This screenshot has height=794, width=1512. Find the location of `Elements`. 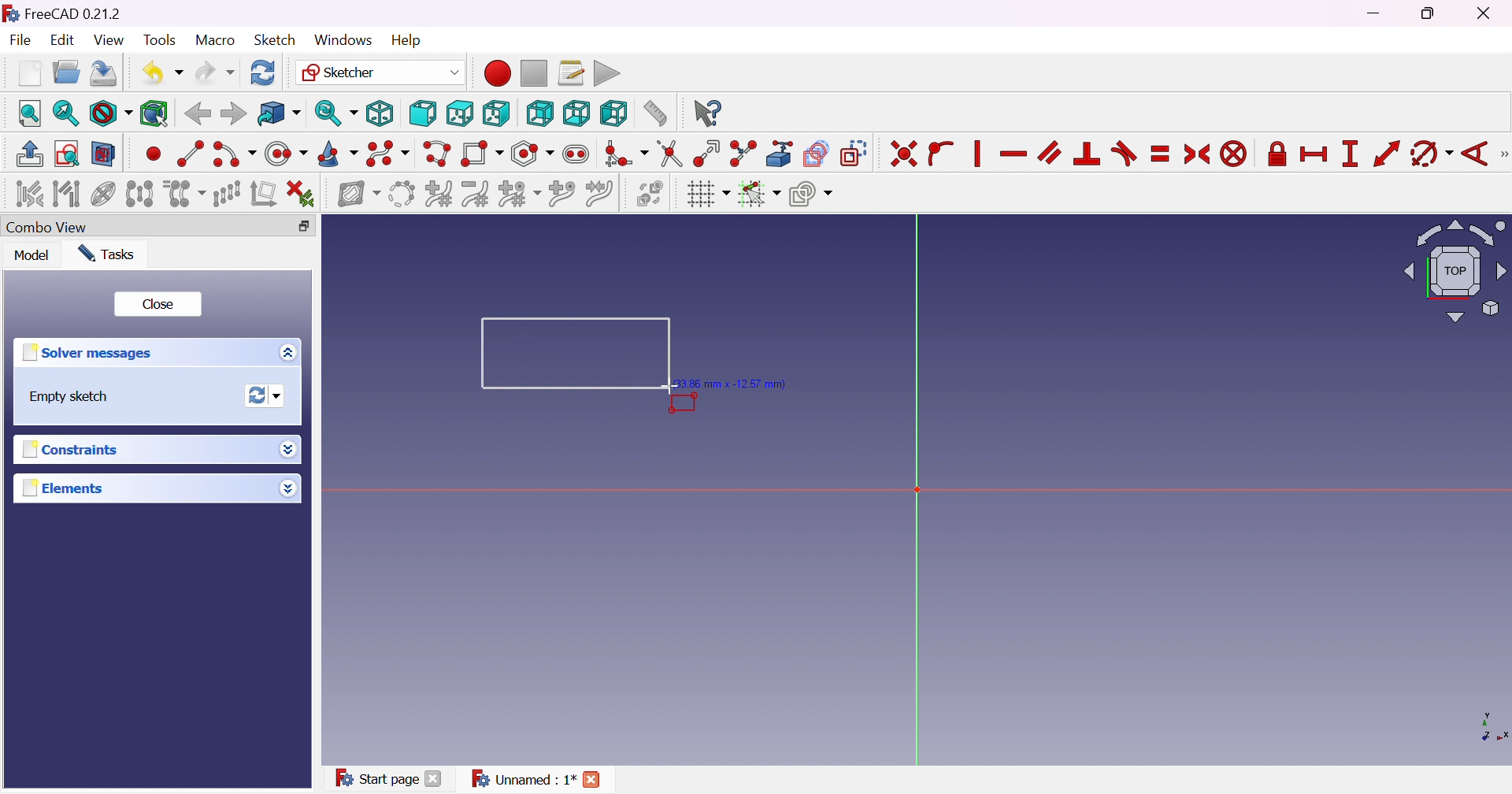

Elements is located at coordinates (64, 488).